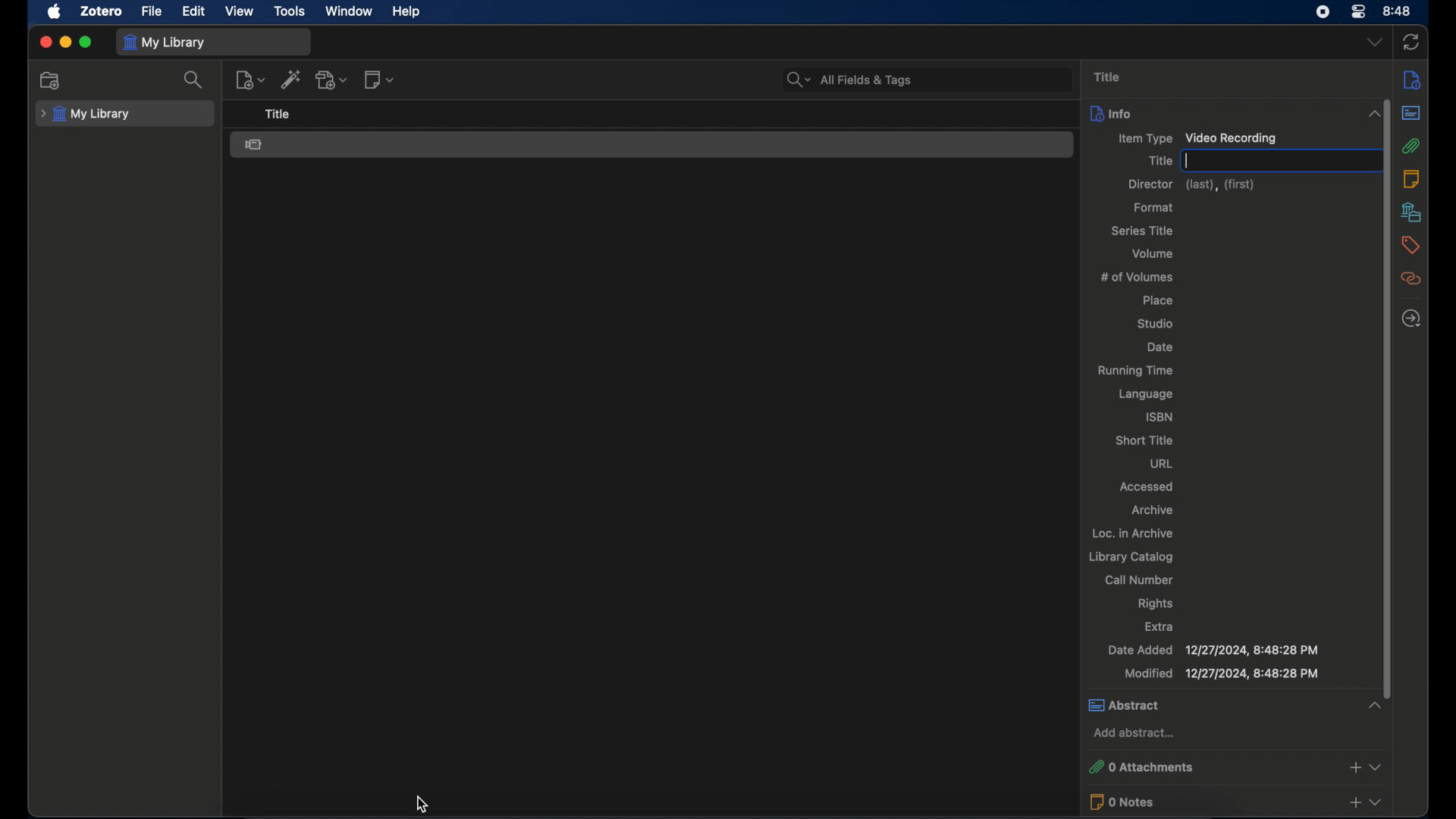  I want to click on attachments, so click(1410, 146).